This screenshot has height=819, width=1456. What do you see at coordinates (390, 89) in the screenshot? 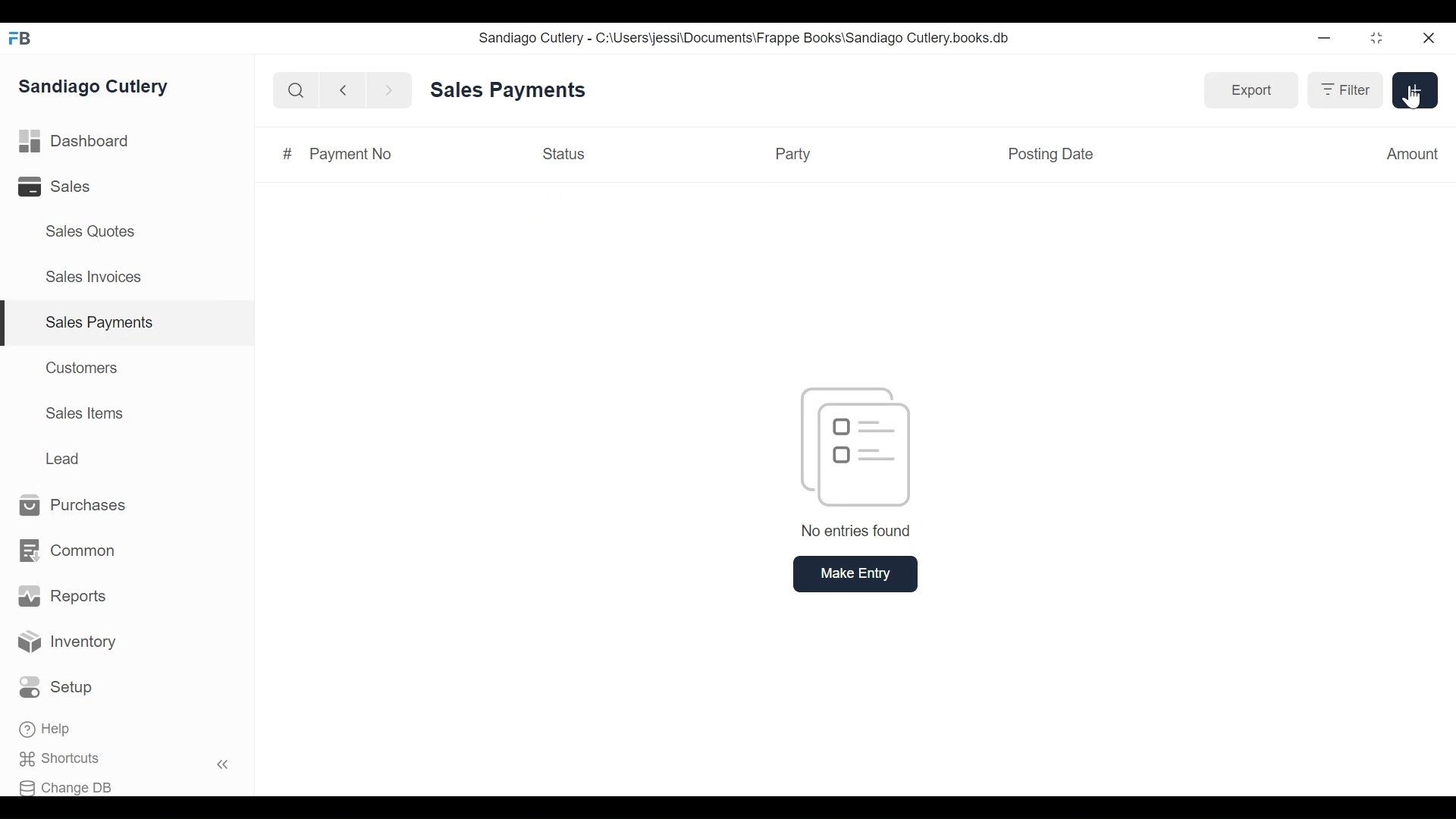
I see `Navigate forward` at bounding box center [390, 89].